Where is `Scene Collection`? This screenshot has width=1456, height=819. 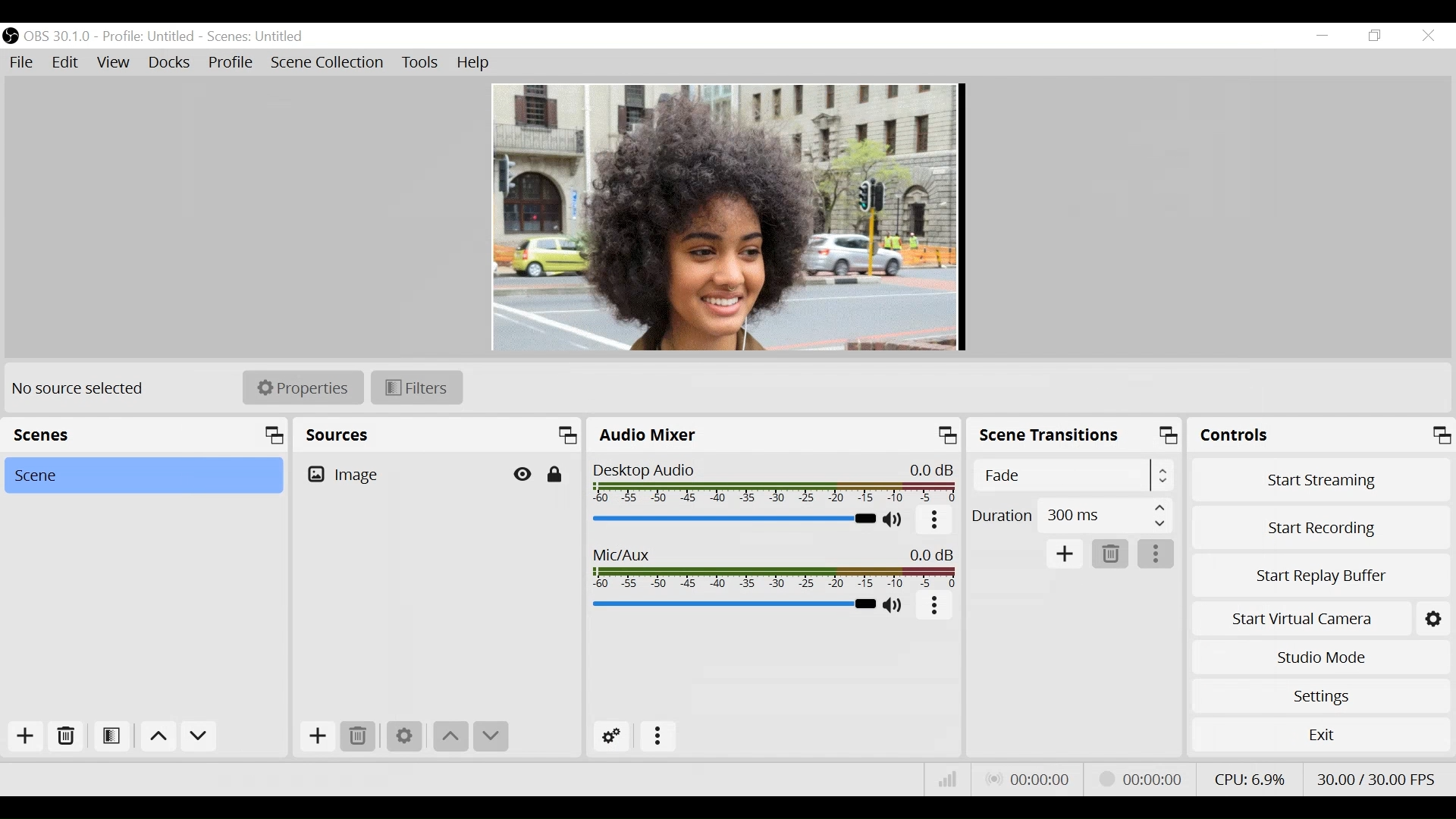
Scene Collection is located at coordinates (330, 62).